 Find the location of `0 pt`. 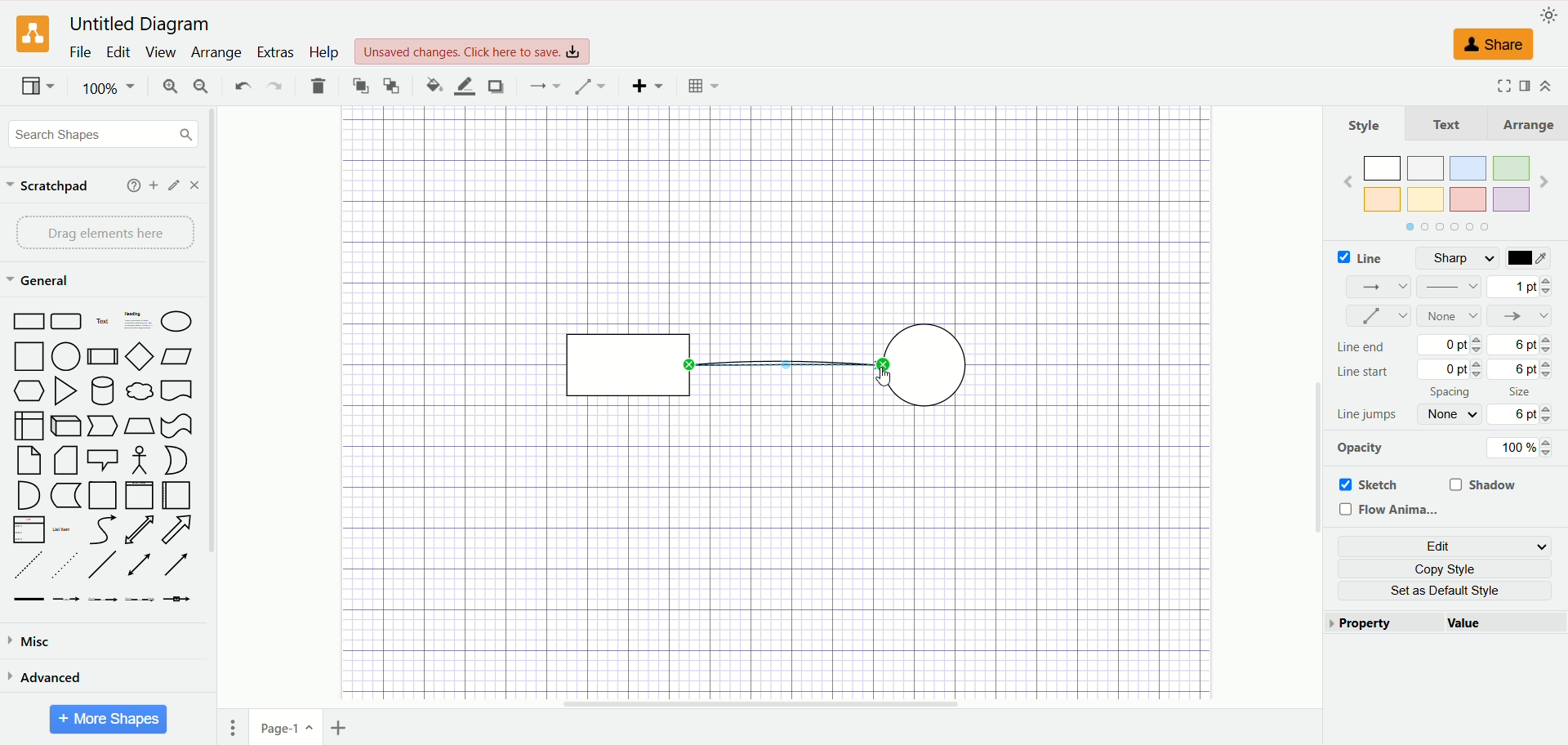

0 pt is located at coordinates (1450, 345).